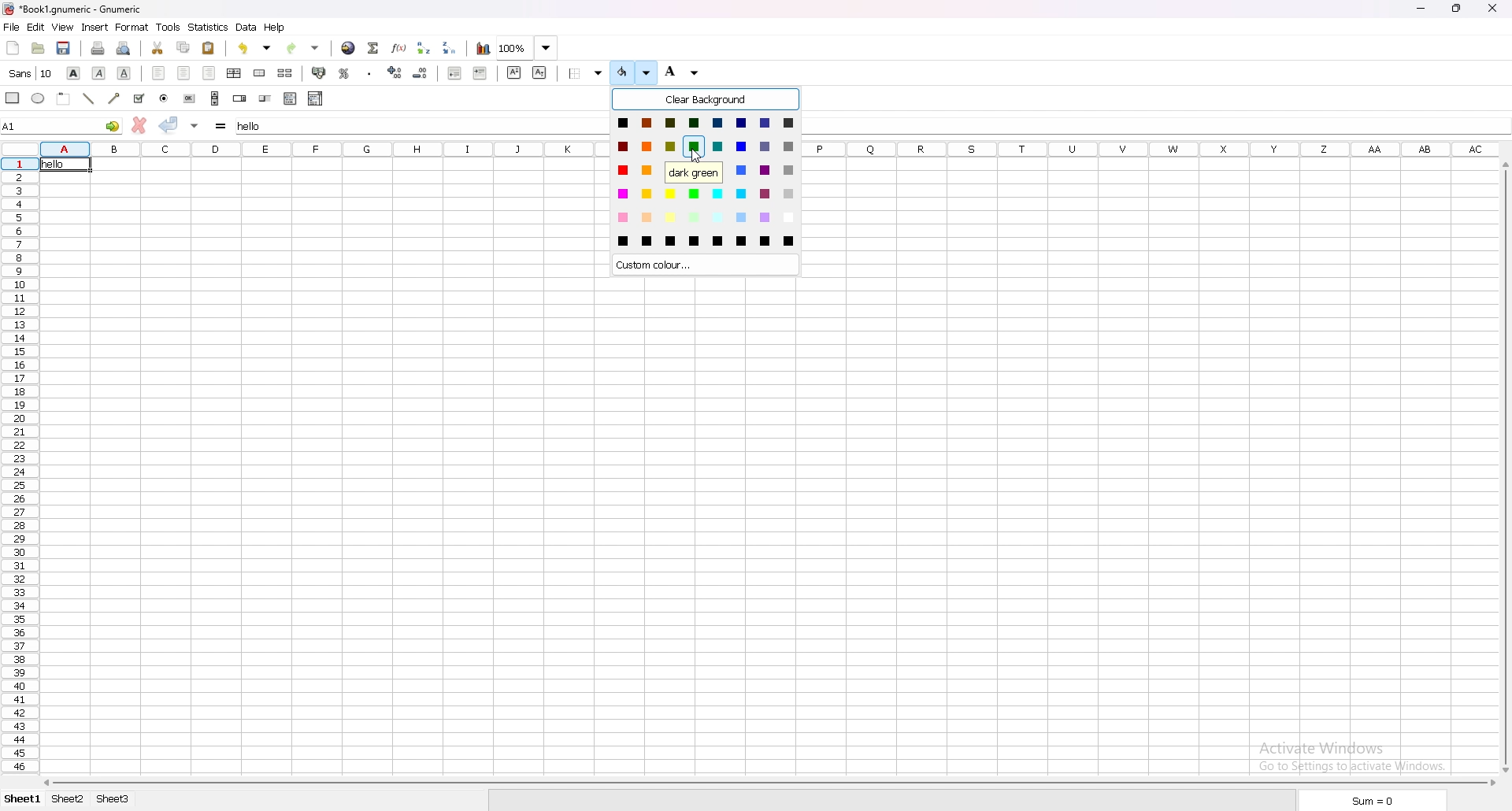 This screenshot has height=811, width=1512. Describe the element at coordinates (89, 98) in the screenshot. I see `line` at that location.